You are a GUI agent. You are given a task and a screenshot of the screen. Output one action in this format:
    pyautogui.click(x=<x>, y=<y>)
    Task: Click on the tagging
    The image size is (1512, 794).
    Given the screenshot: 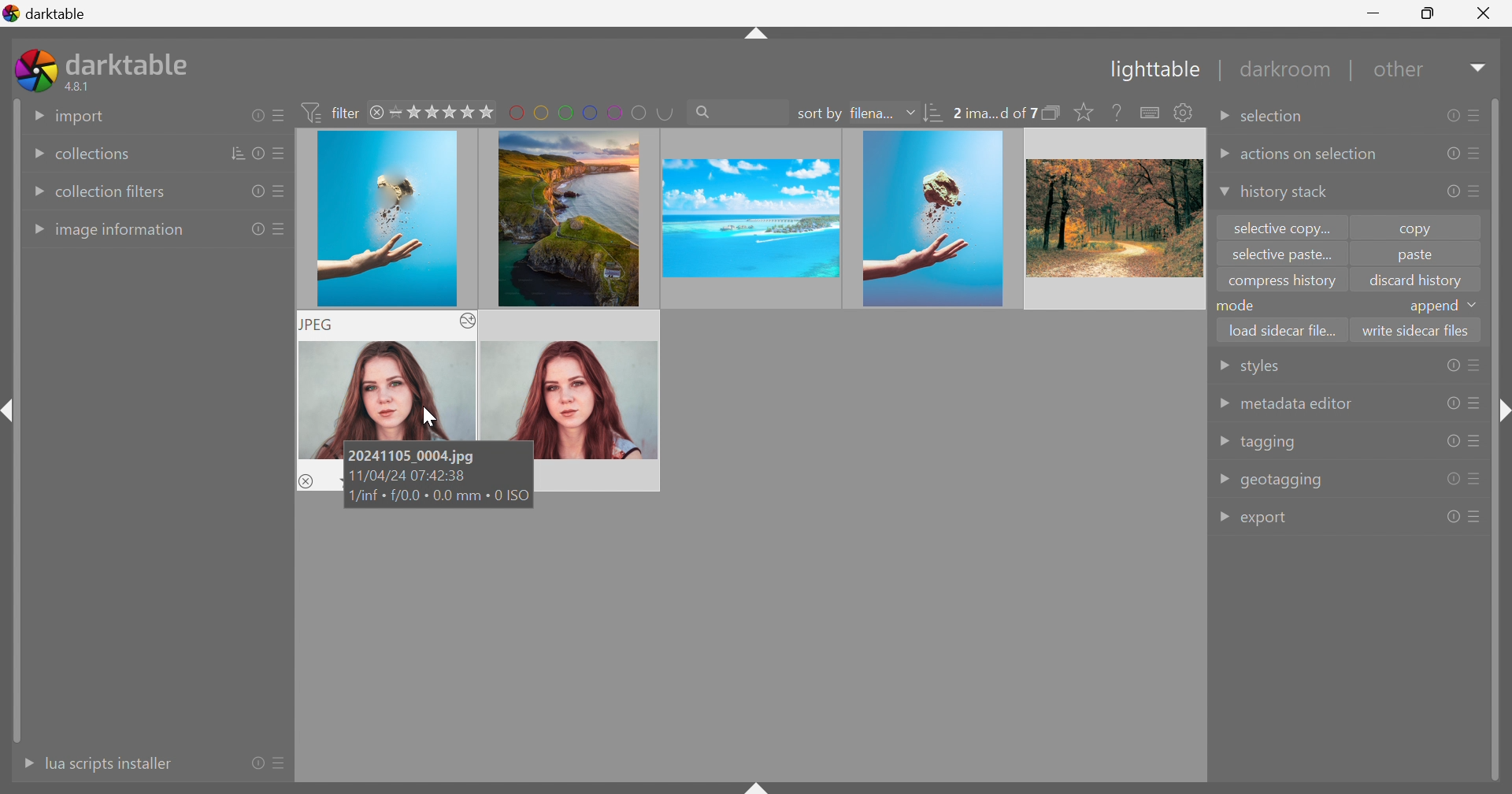 What is the action you would take?
    pyautogui.click(x=1269, y=443)
    